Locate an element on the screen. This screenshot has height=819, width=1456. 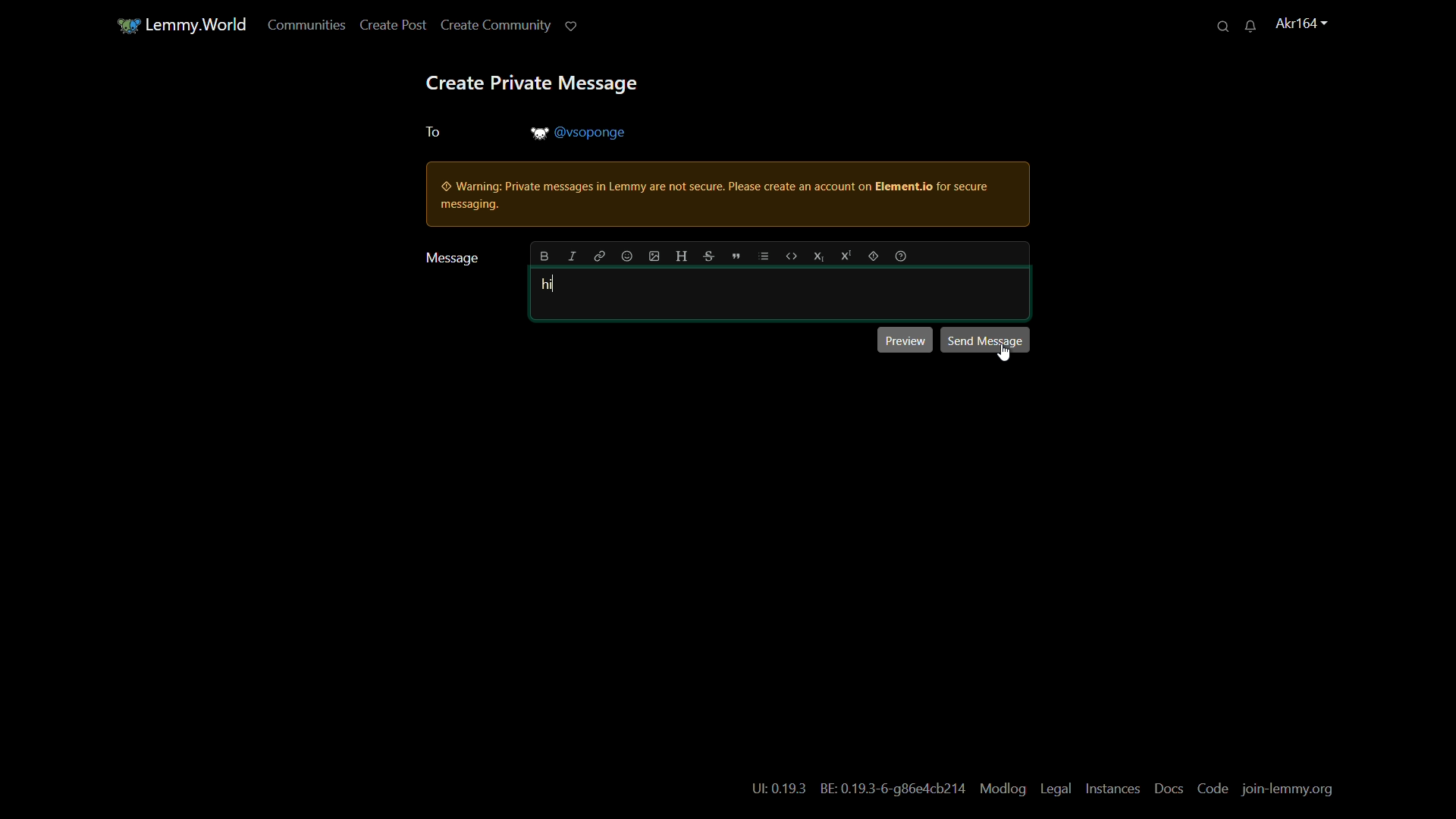
subscript is located at coordinates (817, 255).